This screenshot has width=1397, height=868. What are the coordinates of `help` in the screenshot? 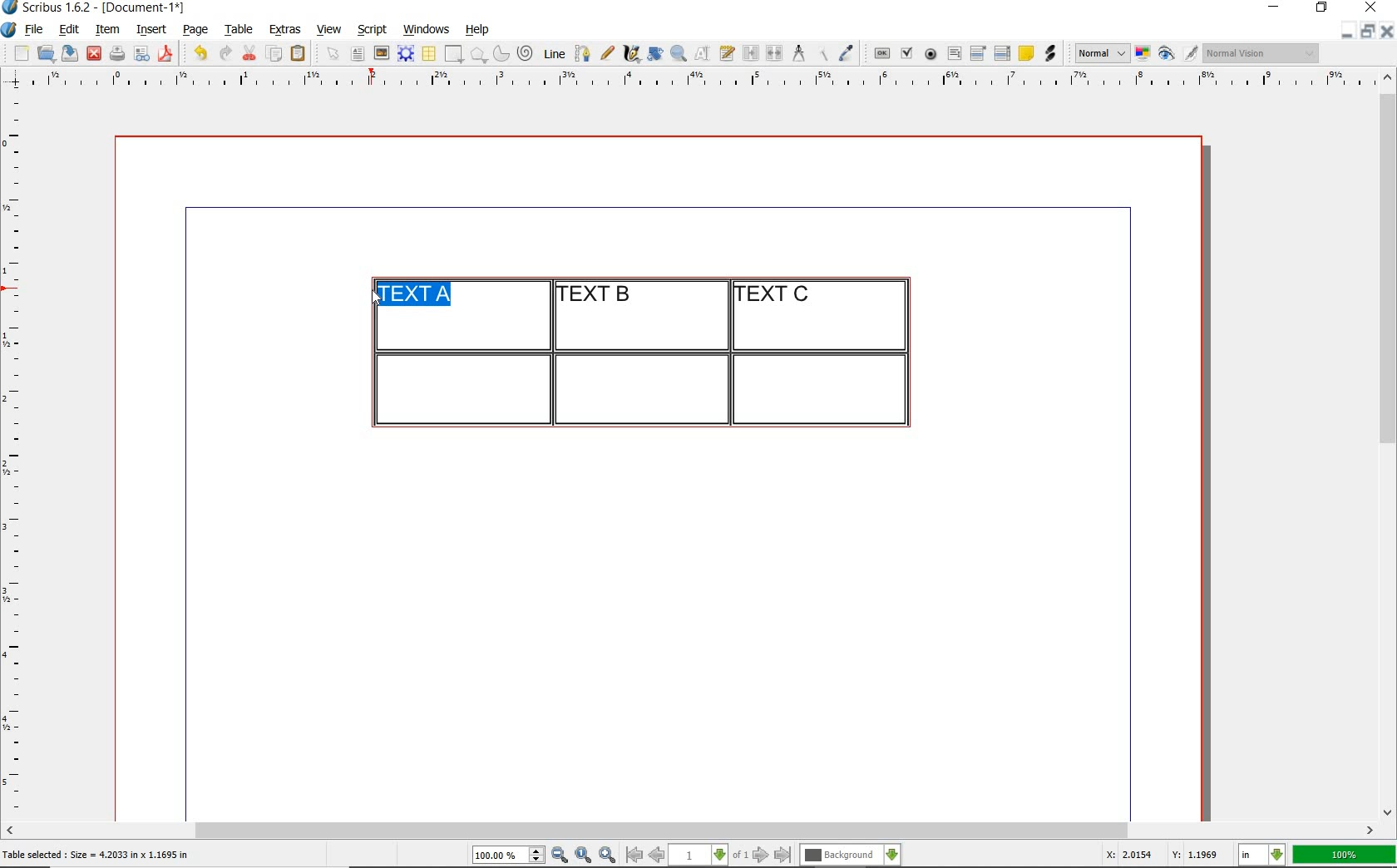 It's located at (476, 31).